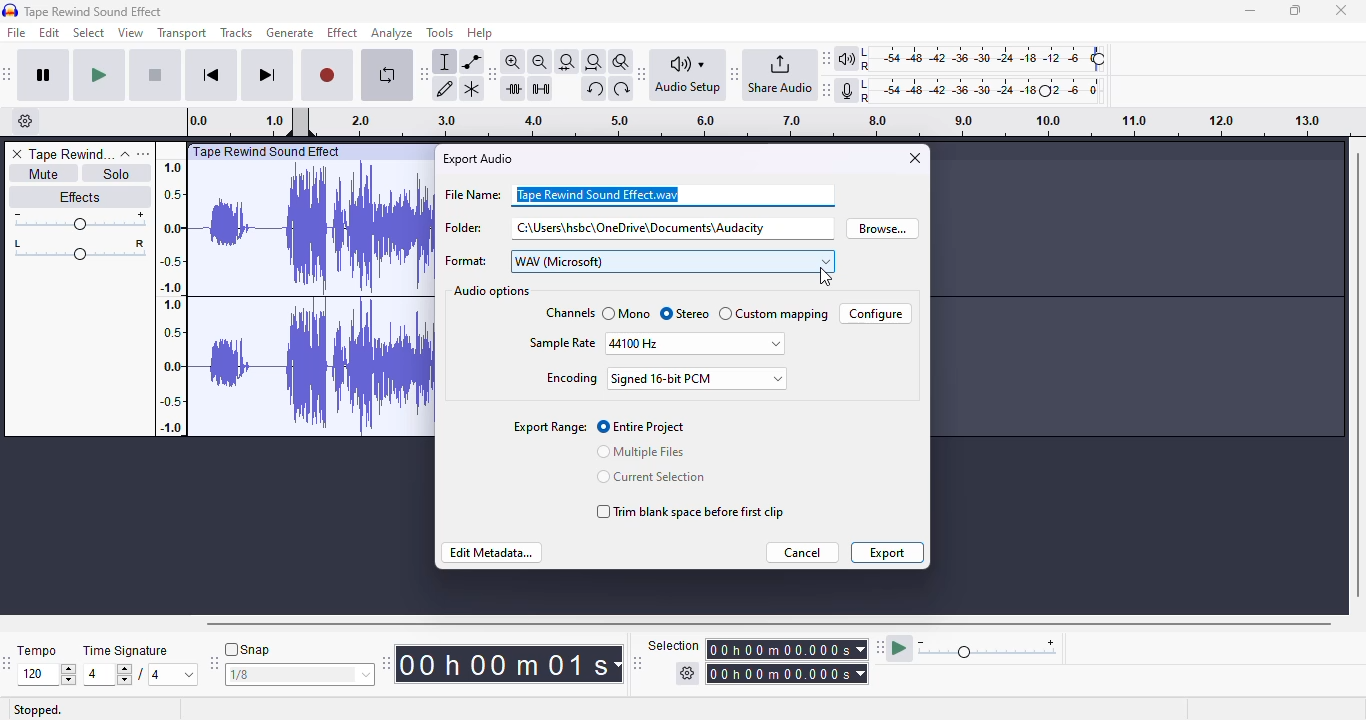  Describe the element at coordinates (444, 61) in the screenshot. I see `selection tool` at that location.